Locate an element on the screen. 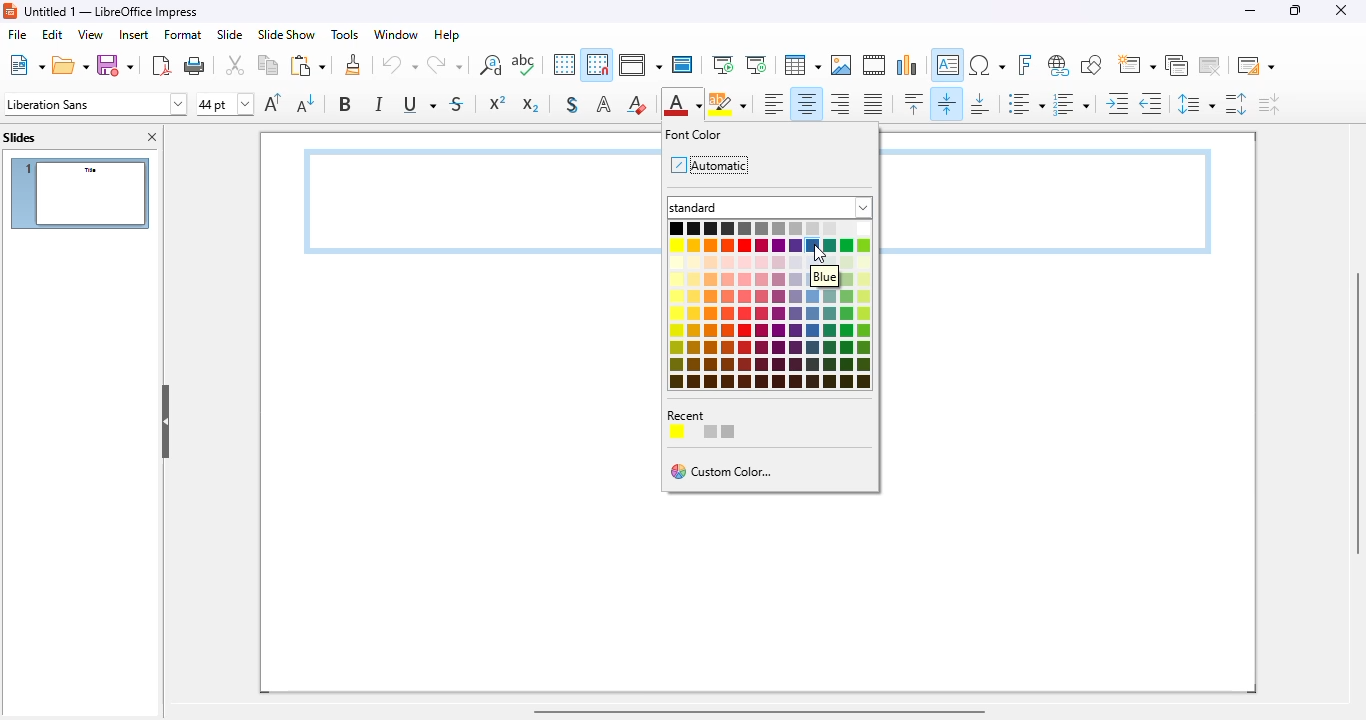  insert chart is located at coordinates (908, 65).